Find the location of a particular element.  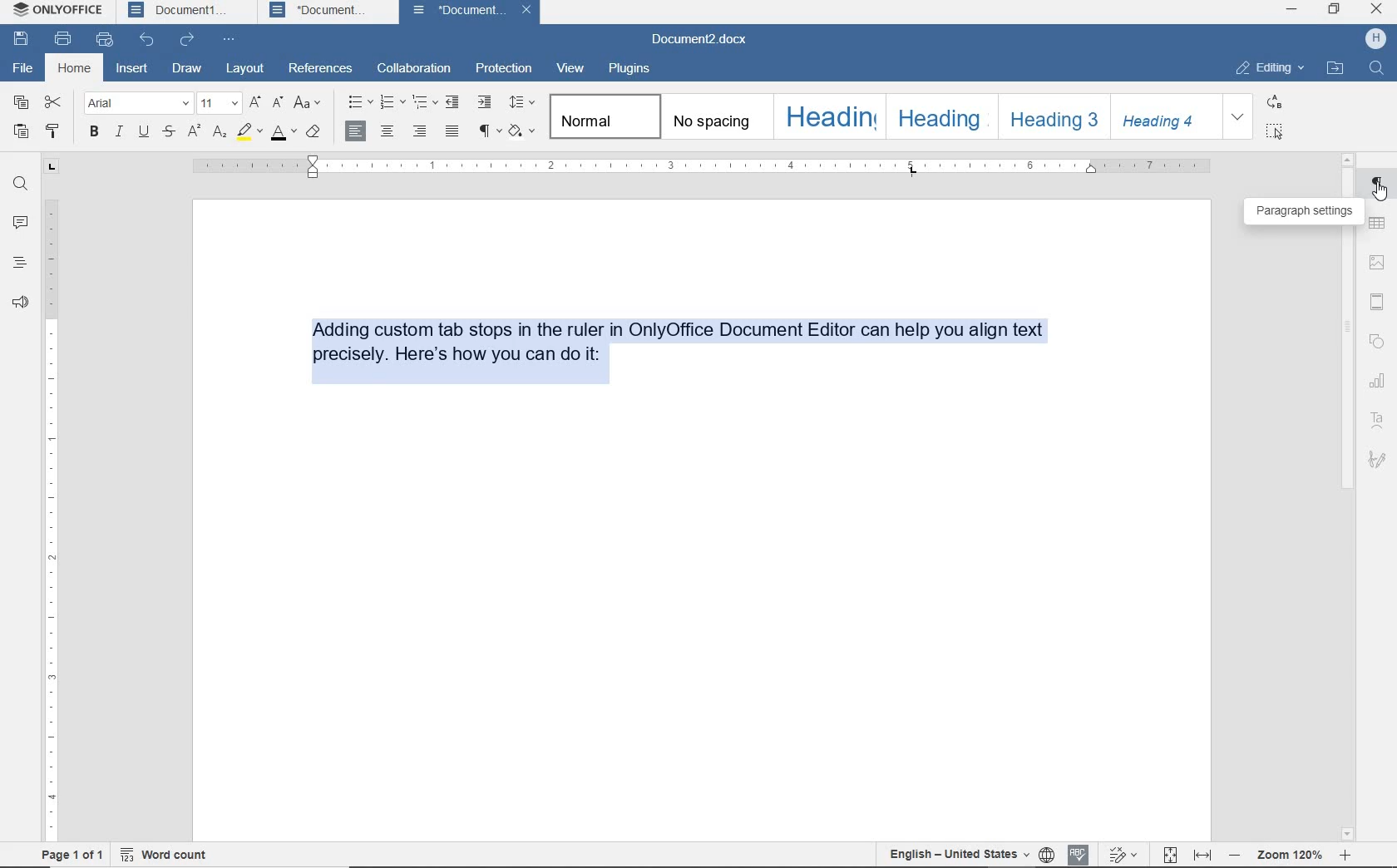

numbering is located at coordinates (390, 103).